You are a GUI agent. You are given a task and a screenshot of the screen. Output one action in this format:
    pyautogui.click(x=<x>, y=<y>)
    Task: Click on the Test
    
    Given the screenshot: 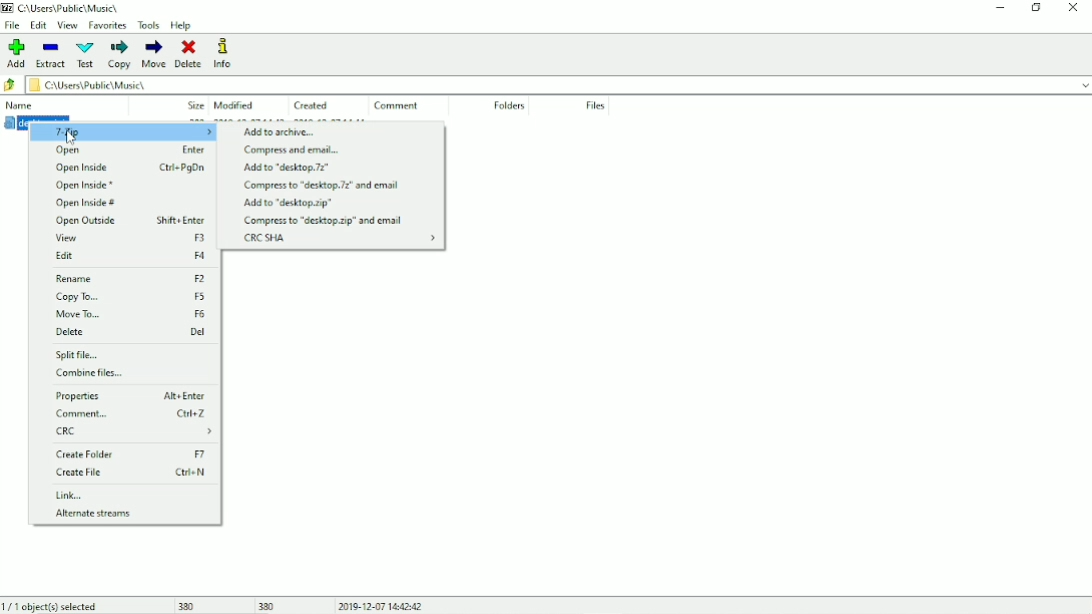 What is the action you would take?
    pyautogui.click(x=86, y=55)
    